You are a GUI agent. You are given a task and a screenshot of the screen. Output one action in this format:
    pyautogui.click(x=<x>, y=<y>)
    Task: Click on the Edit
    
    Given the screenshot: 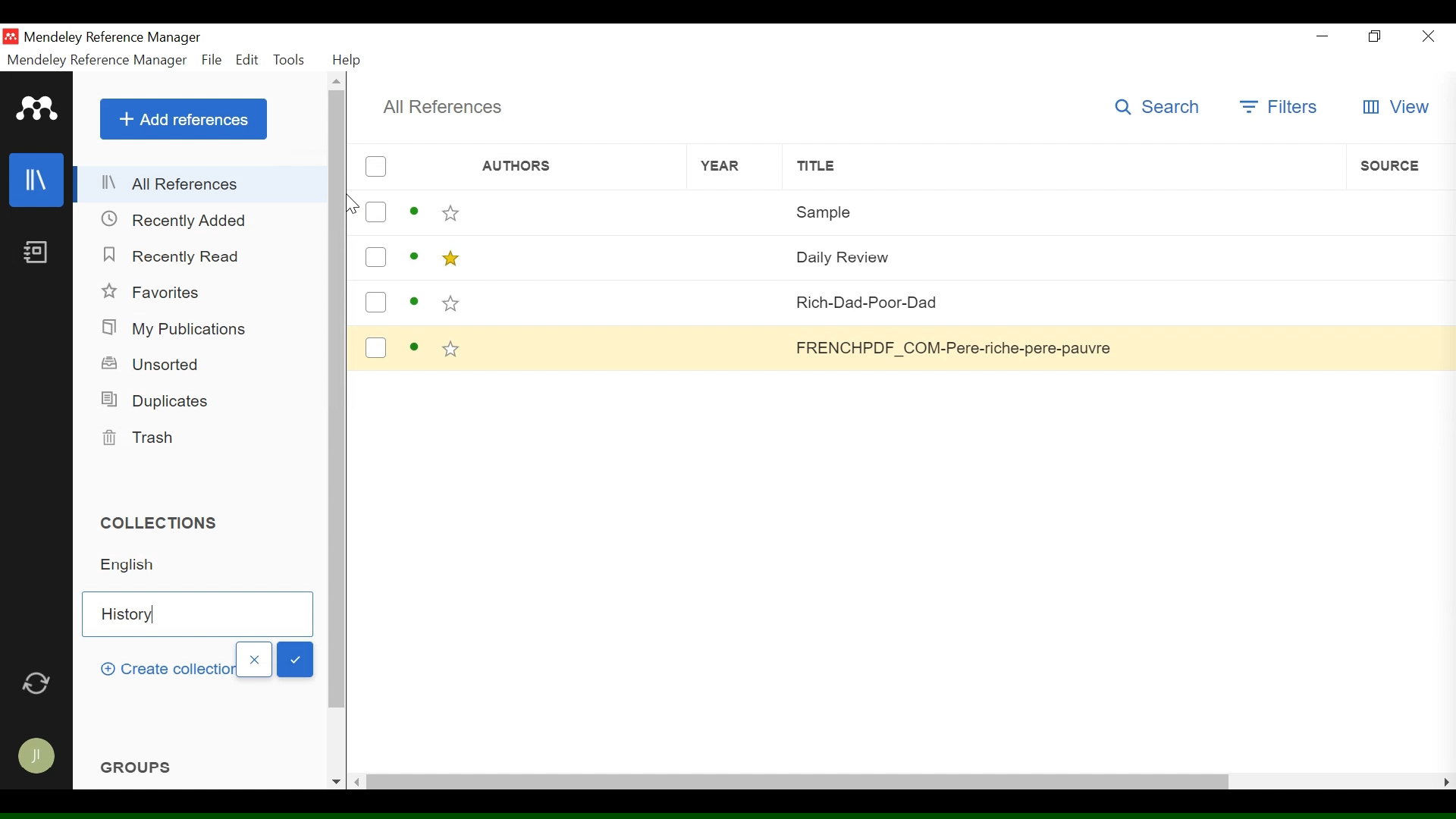 What is the action you would take?
    pyautogui.click(x=248, y=61)
    